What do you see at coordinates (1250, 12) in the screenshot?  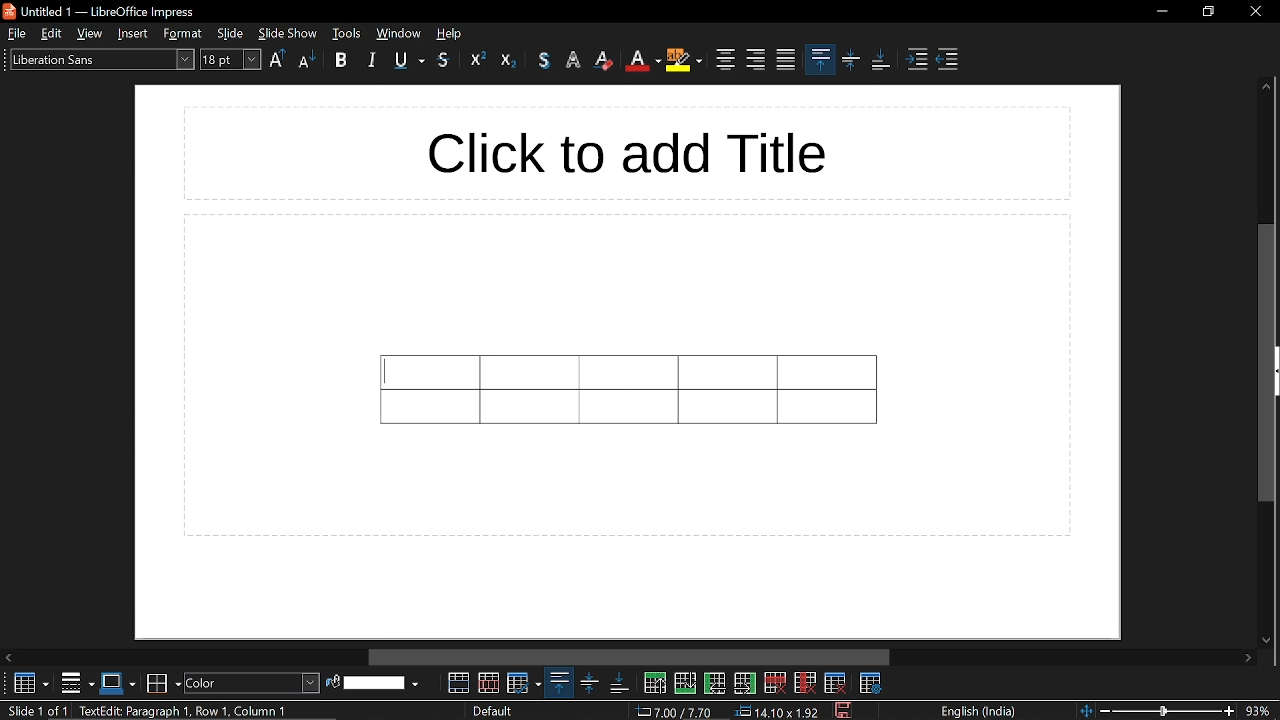 I see `close` at bounding box center [1250, 12].